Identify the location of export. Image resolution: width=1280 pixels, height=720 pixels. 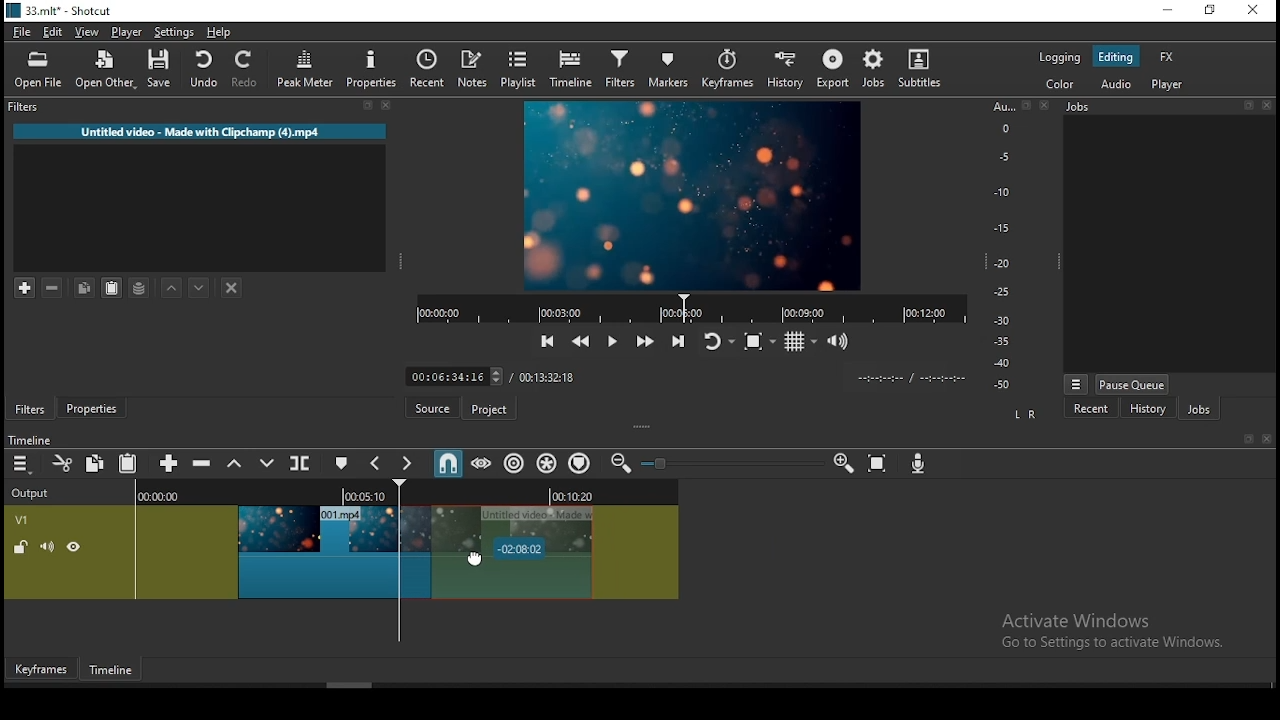
(835, 68).